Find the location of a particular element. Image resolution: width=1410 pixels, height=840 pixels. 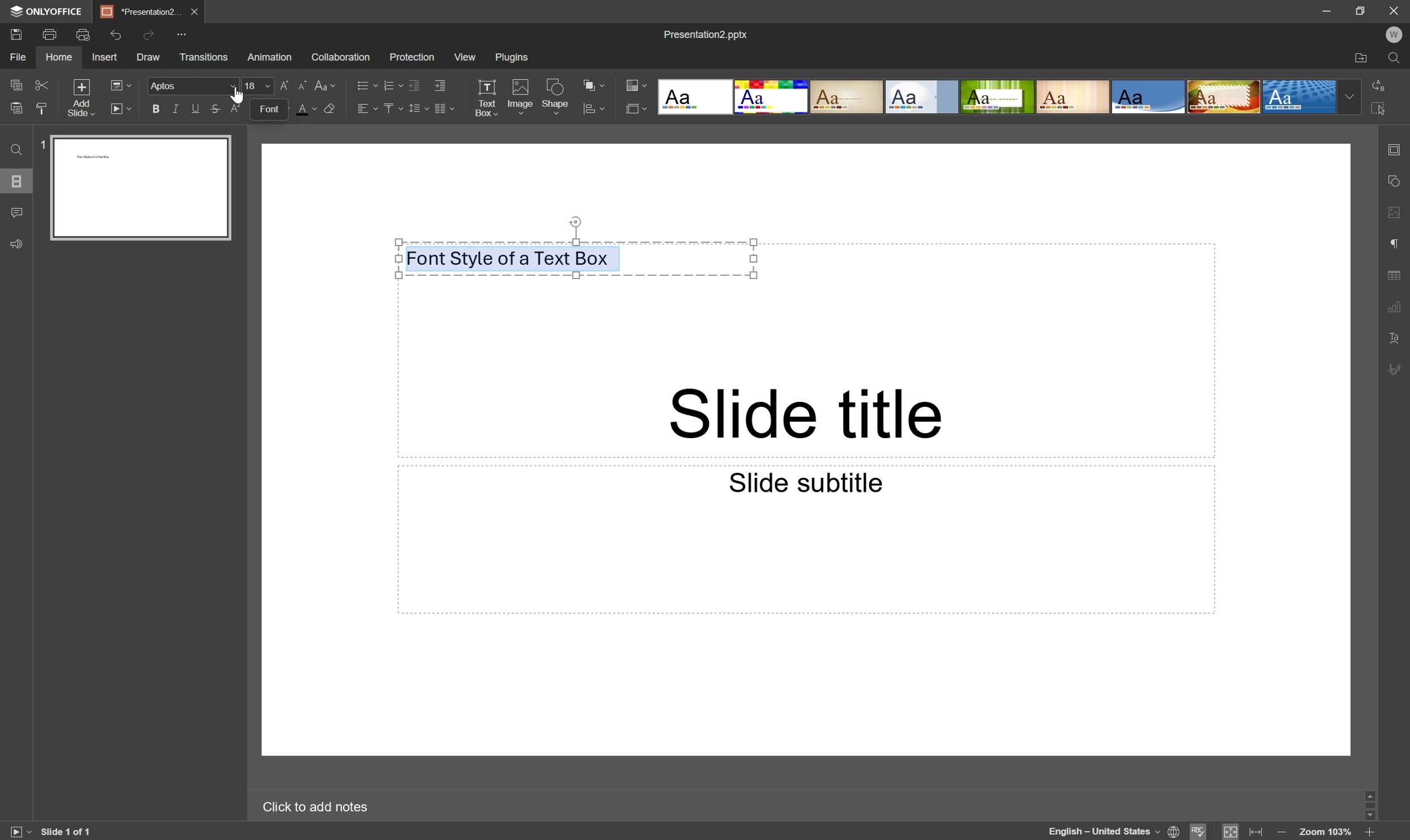

Replace is located at coordinates (1378, 87).